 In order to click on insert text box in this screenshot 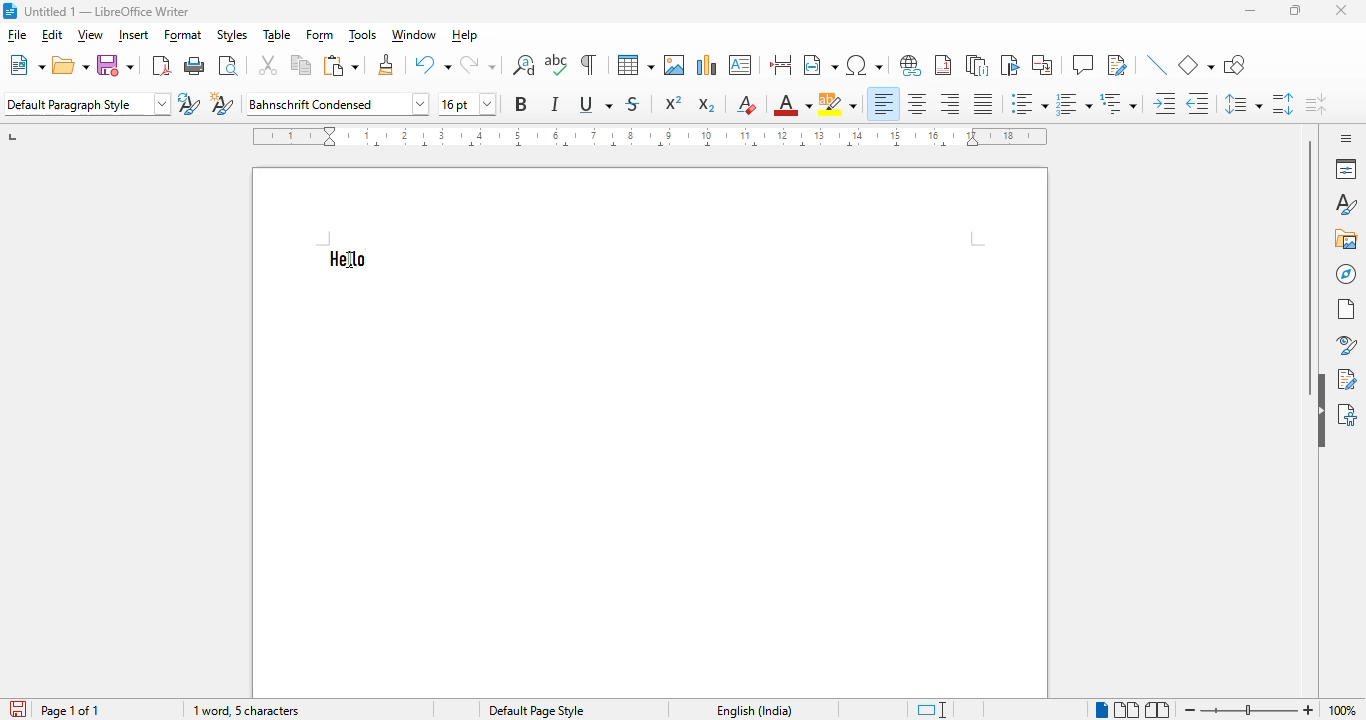, I will do `click(740, 65)`.